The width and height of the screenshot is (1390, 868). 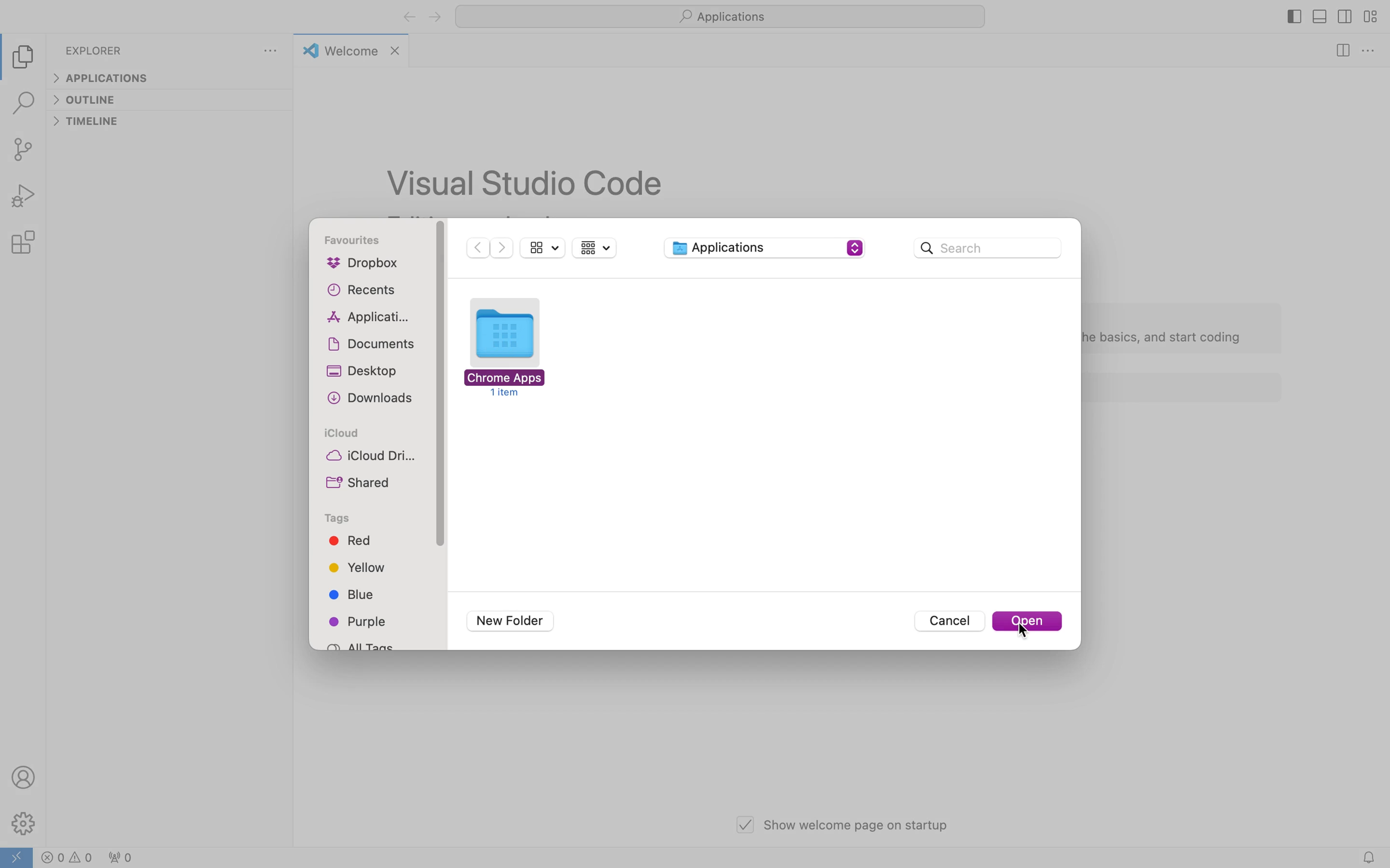 I want to click on folder to open, so click(x=505, y=348).